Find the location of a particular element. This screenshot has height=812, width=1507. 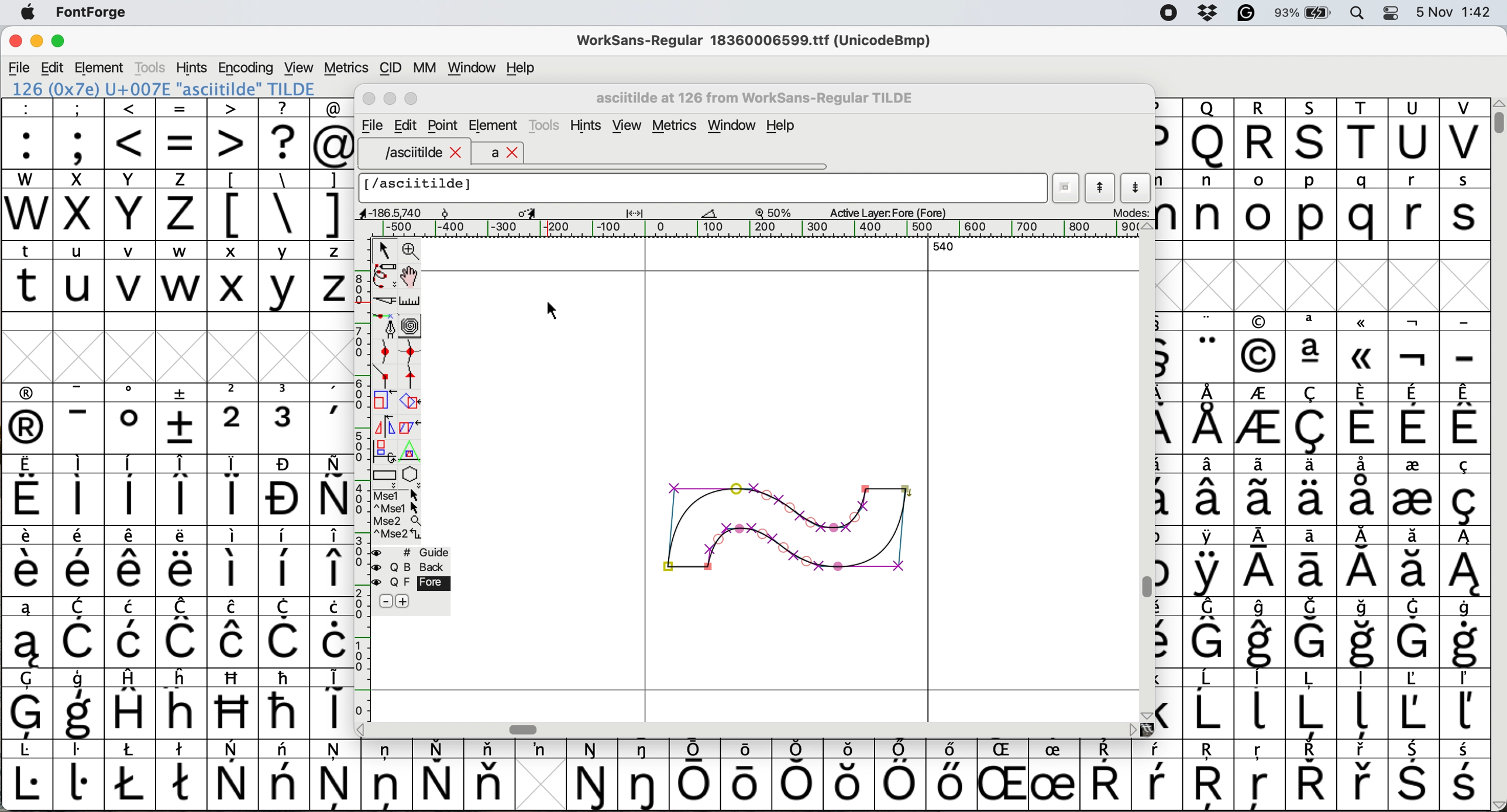

symbol is located at coordinates (696, 775).